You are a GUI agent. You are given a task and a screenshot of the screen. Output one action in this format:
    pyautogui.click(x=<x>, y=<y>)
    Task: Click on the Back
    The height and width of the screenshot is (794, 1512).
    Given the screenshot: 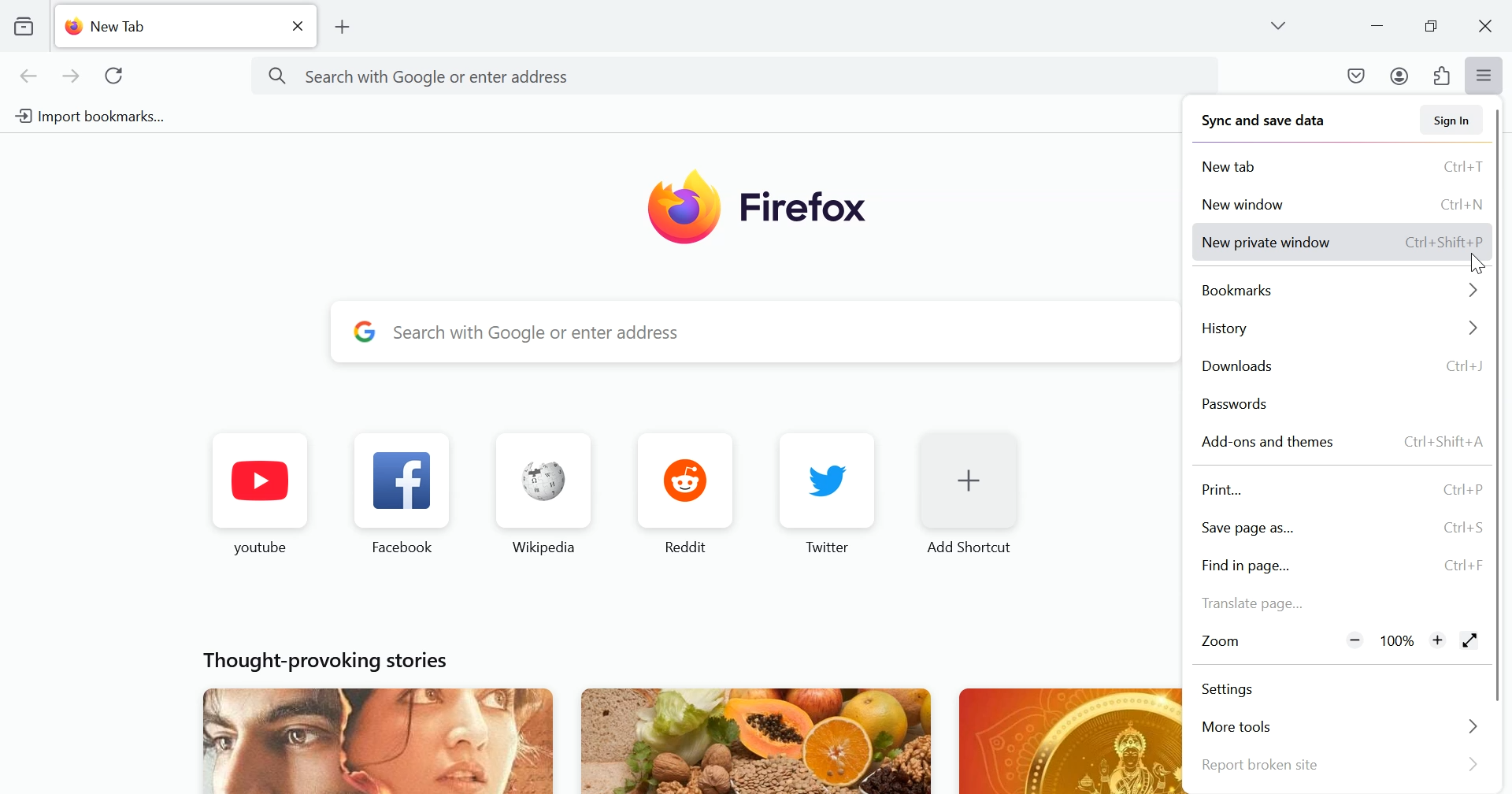 What is the action you would take?
    pyautogui.click(x=29, y=77)
    